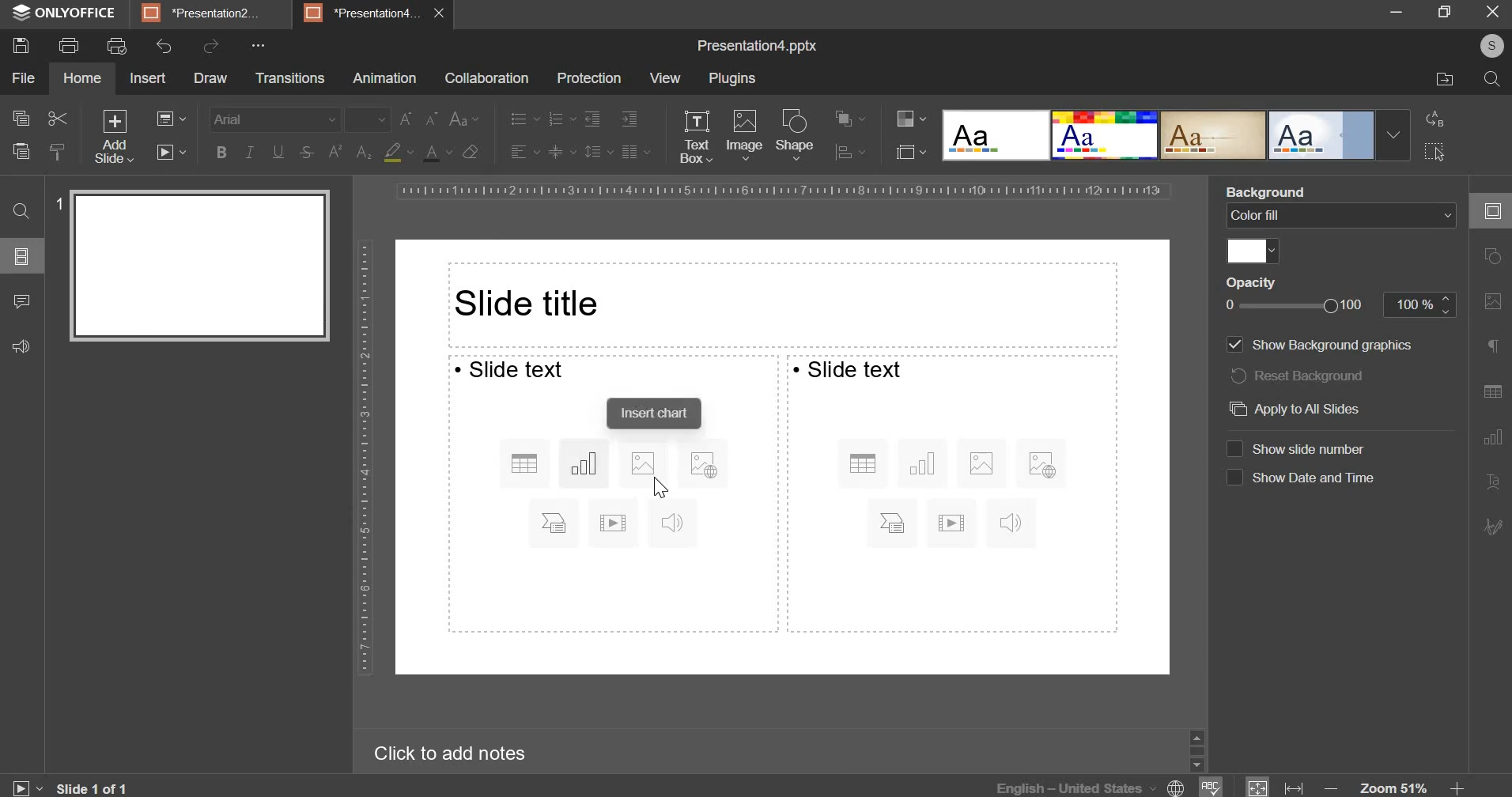 The width and height of the screenshot is (1512, 797). I want to click on current slide number, so click(96, 788).